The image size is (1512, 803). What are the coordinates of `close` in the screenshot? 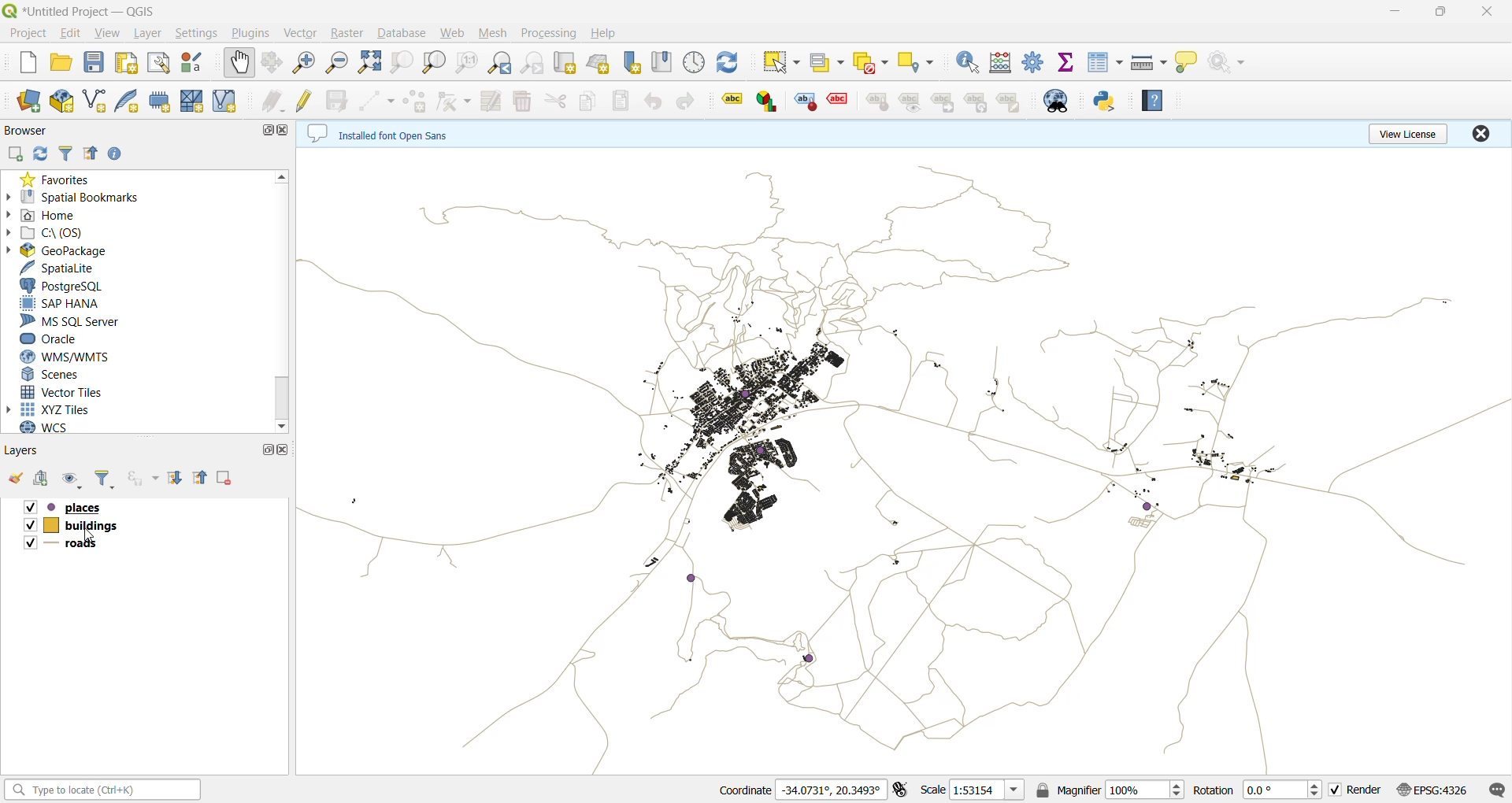 It's located at (1486, 13).